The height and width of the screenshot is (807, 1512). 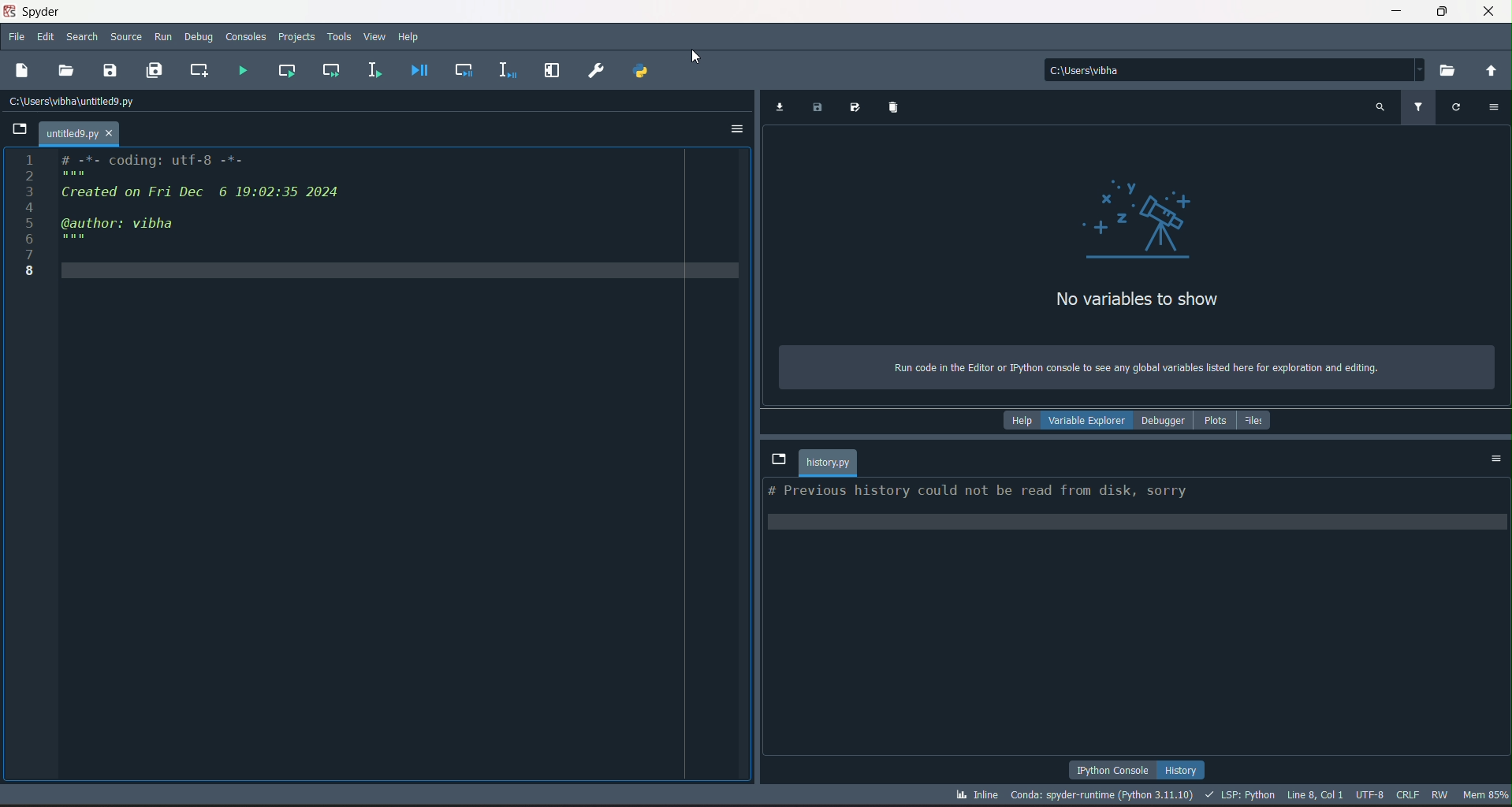 I want to click on file, so click(x=18, y=36).